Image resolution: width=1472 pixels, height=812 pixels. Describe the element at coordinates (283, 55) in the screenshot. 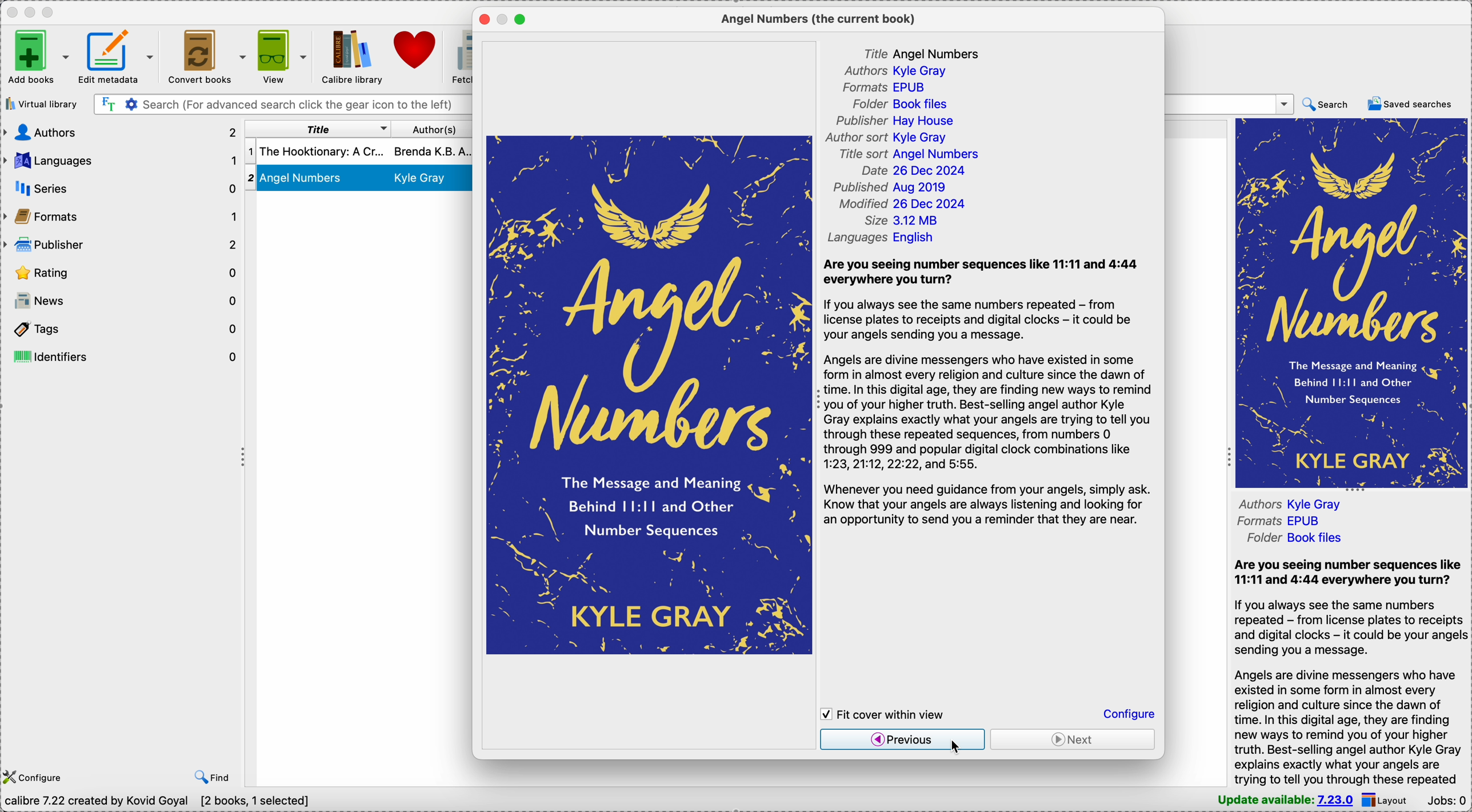

I see `view` at that location.